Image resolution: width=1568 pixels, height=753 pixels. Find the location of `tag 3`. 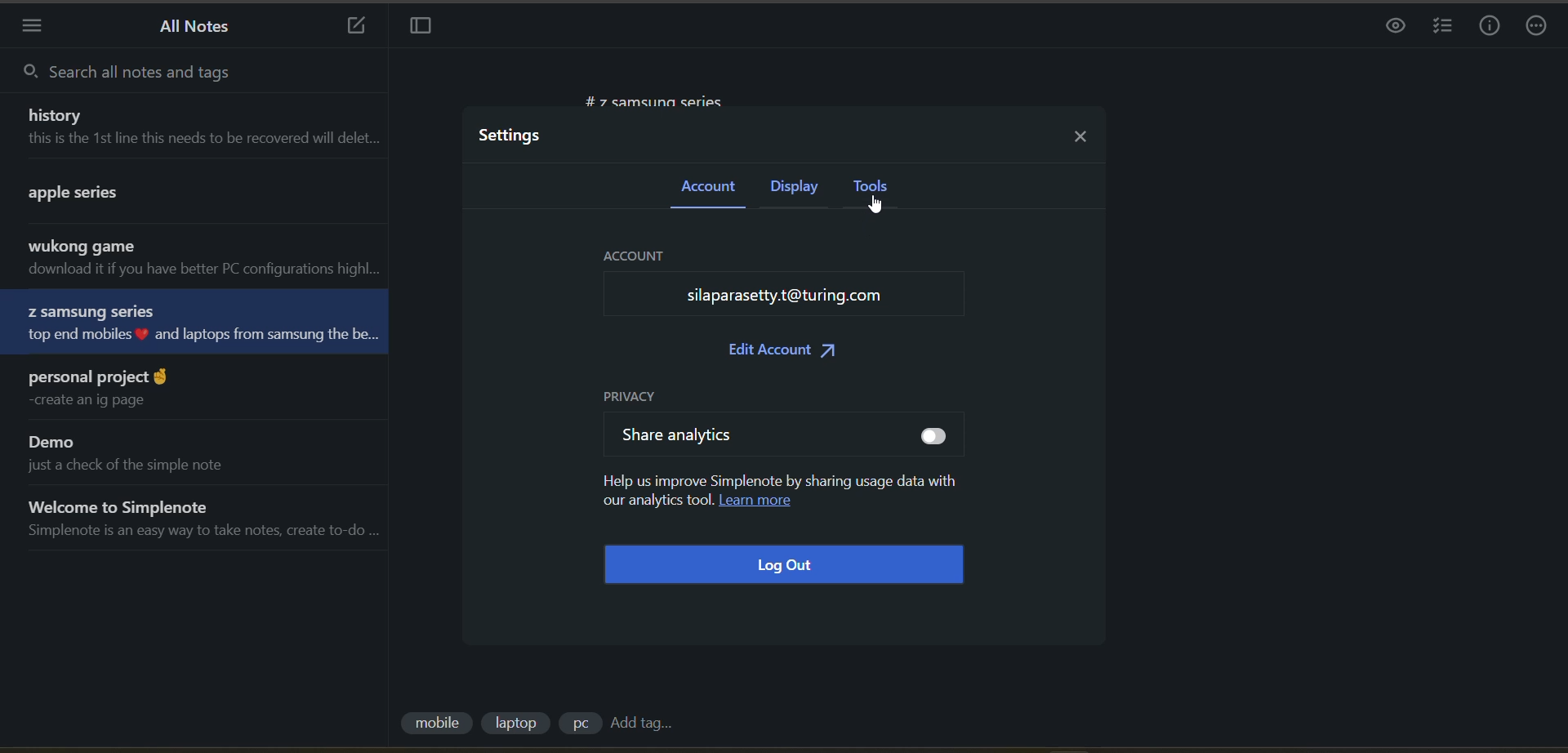

tag 3 is located at coordinates (577, 726).